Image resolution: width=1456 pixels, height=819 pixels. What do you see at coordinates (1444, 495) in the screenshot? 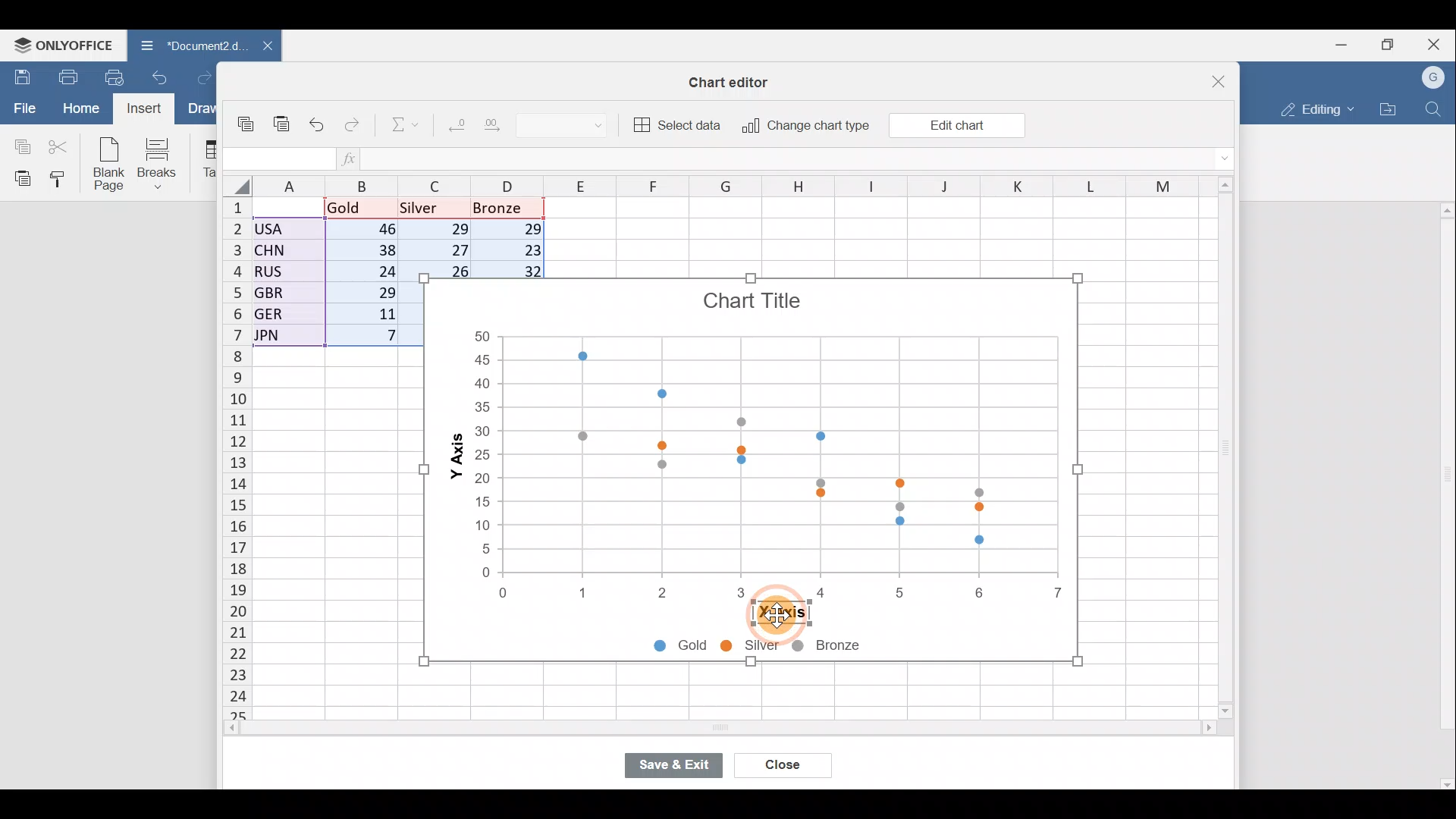
I see `Scroll bar` at bounding box center [1444, 495].